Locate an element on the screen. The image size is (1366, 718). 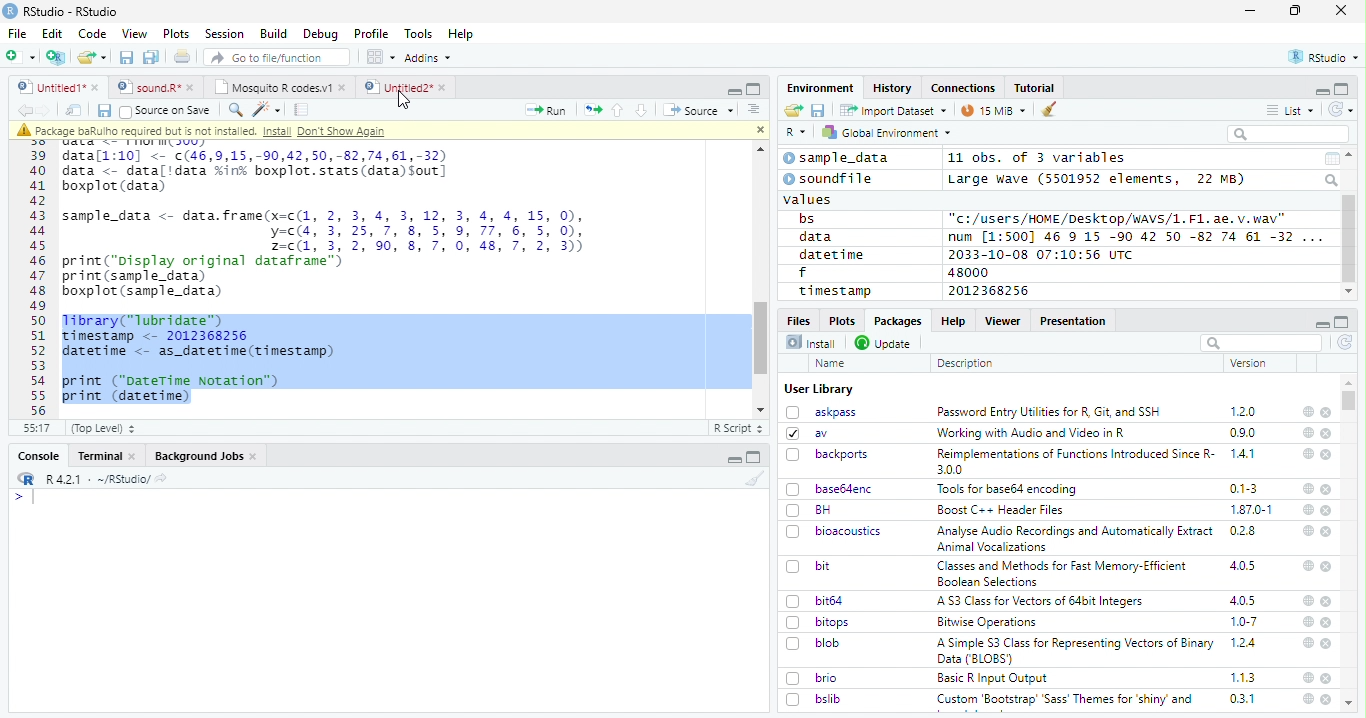
bitops is located at coordinates (819, 622).